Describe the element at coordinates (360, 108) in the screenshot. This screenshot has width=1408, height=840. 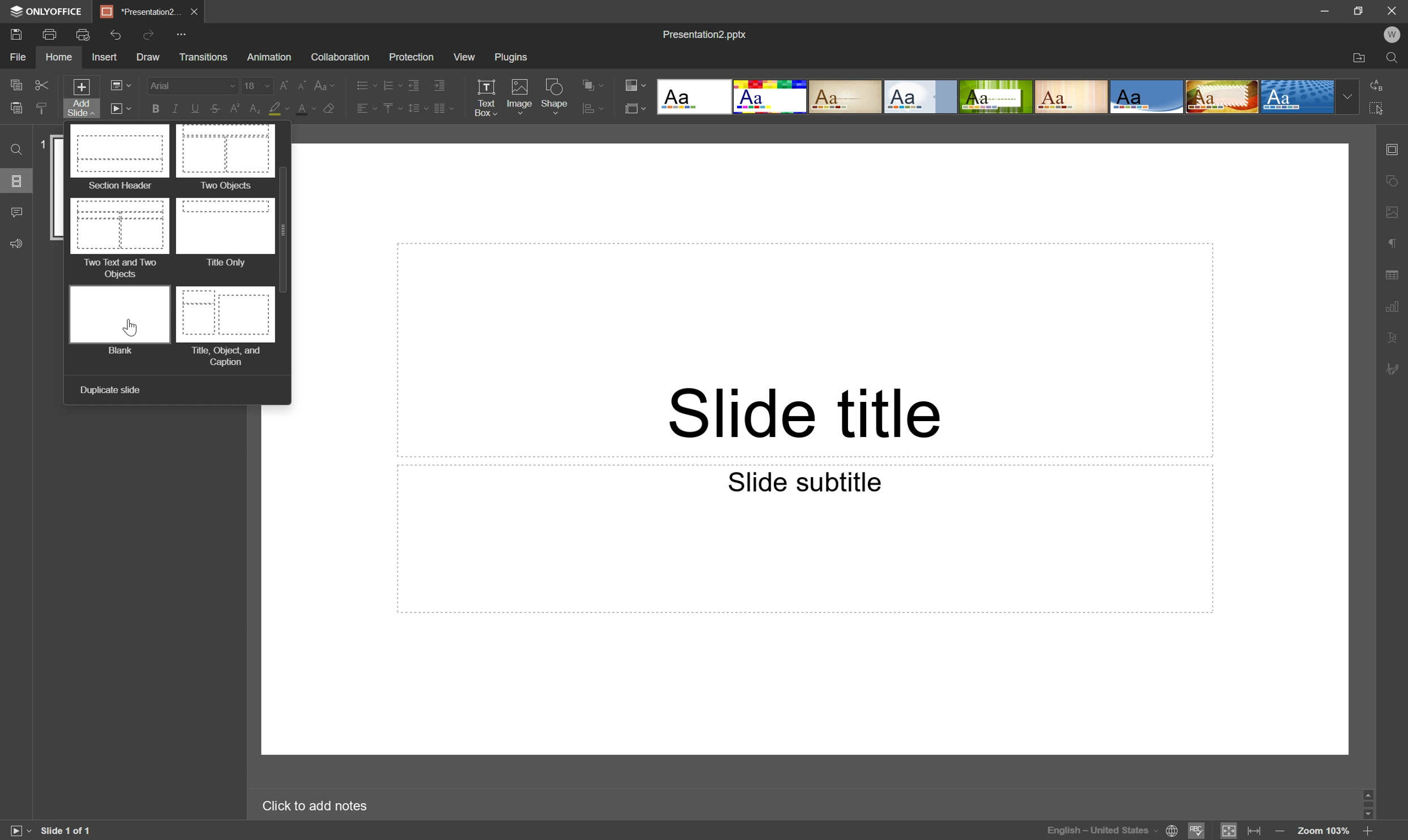
I see `Horizontal align` at that location.